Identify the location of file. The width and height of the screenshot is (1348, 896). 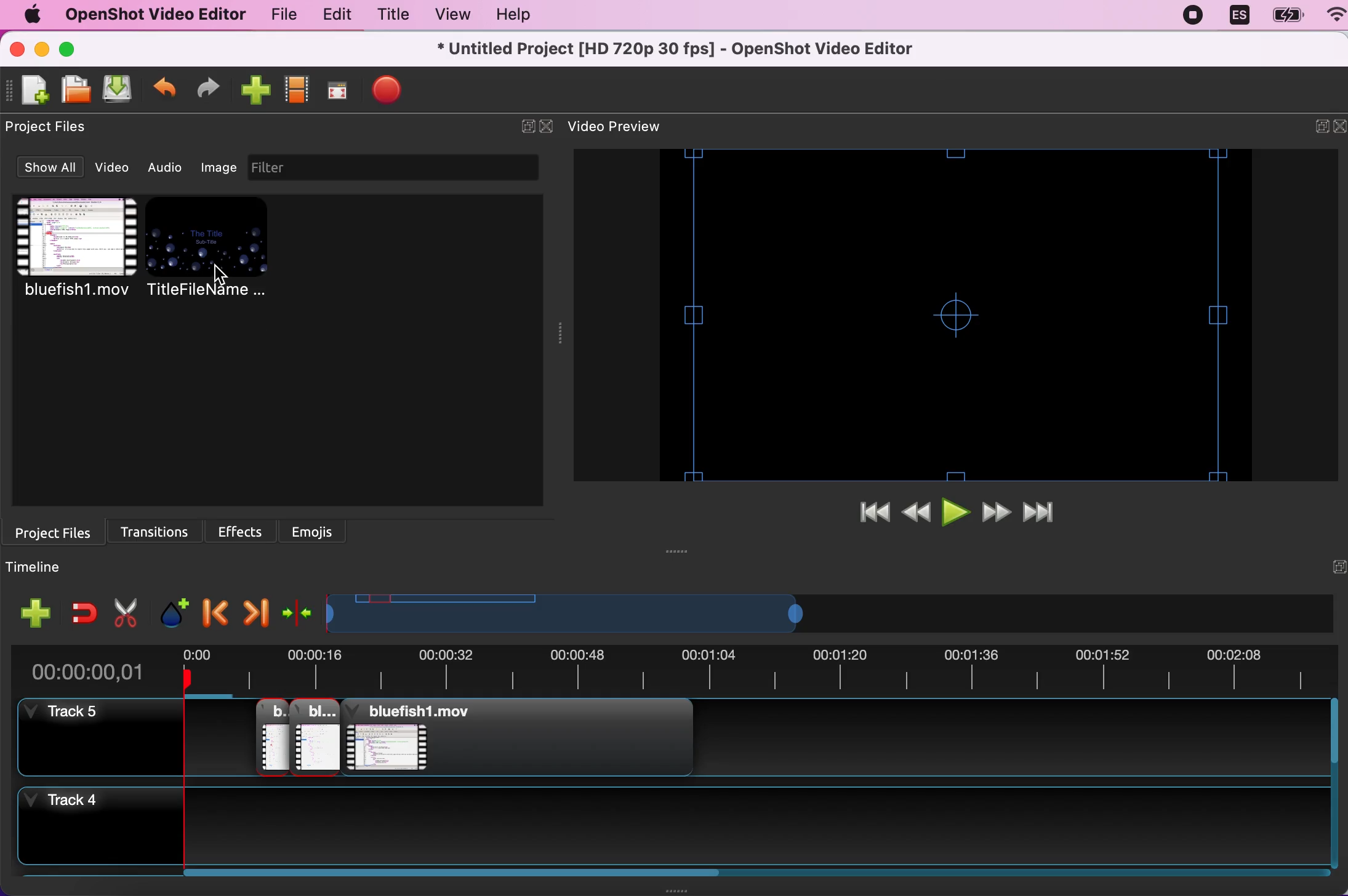
(279, 17).